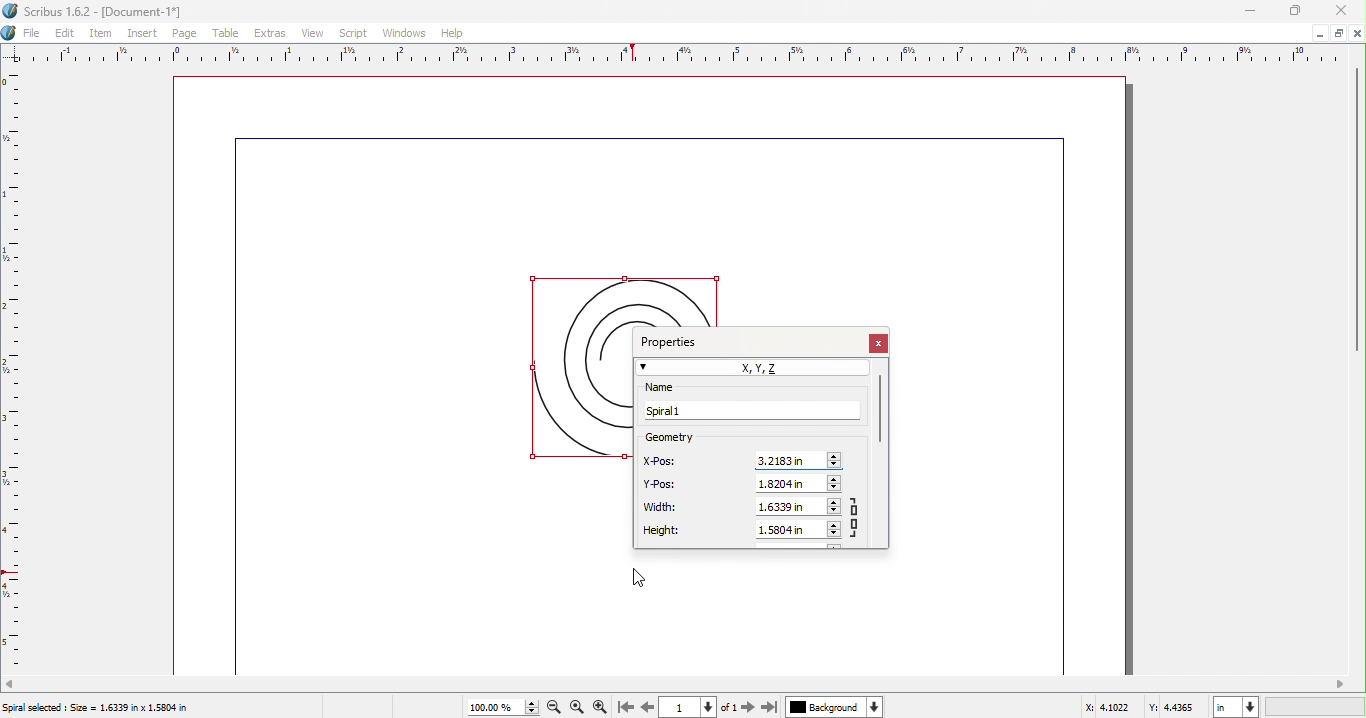  What do you see at coordinates (354, 32) in the screenshot?
I see `Script` at bounding box center [354, 32].